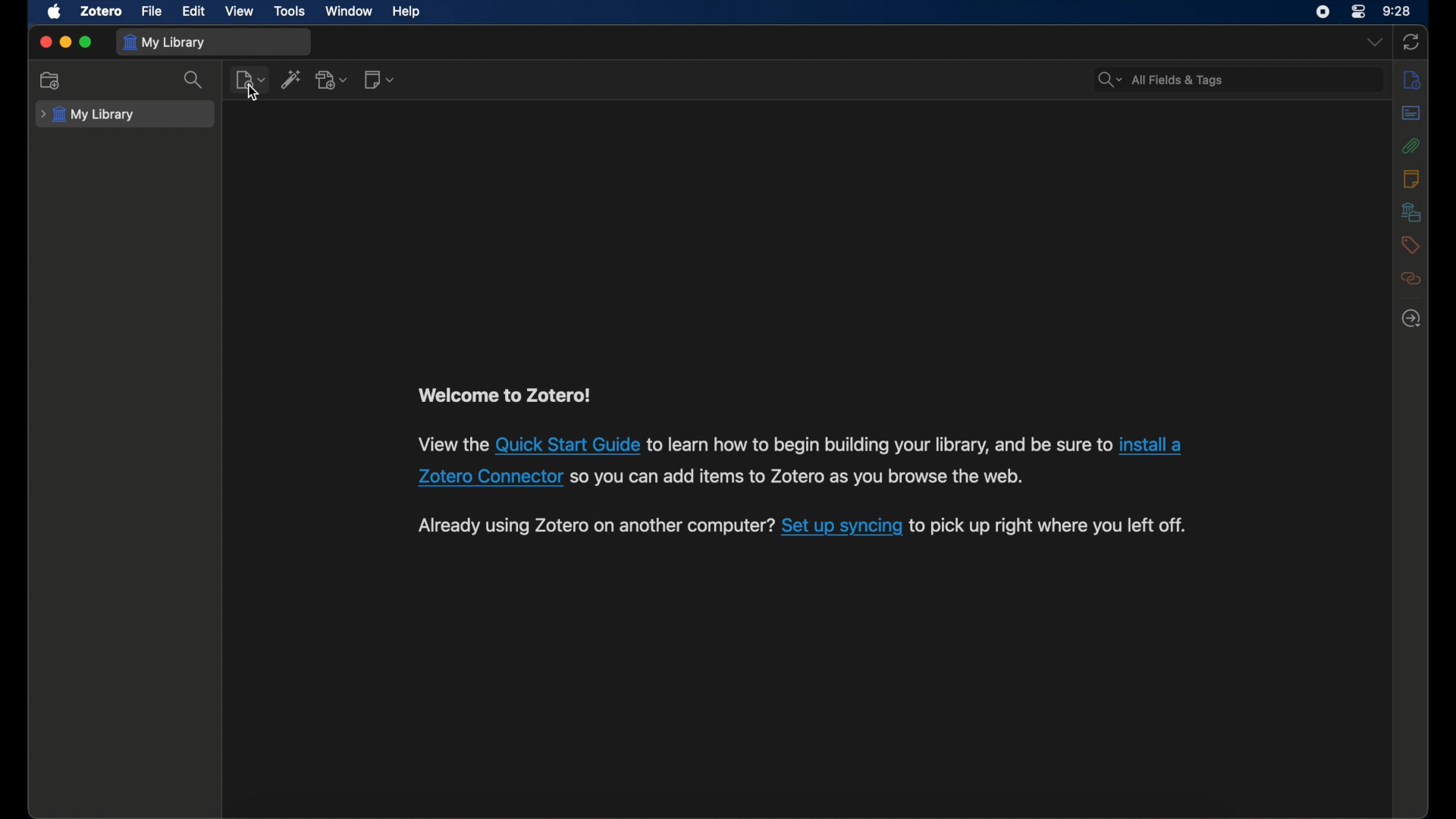 This screenshot has height=819, width=1456. What do you see at coordinates (196, 79) in the screenshot?
I see `search` at bounding box center [196, 79].